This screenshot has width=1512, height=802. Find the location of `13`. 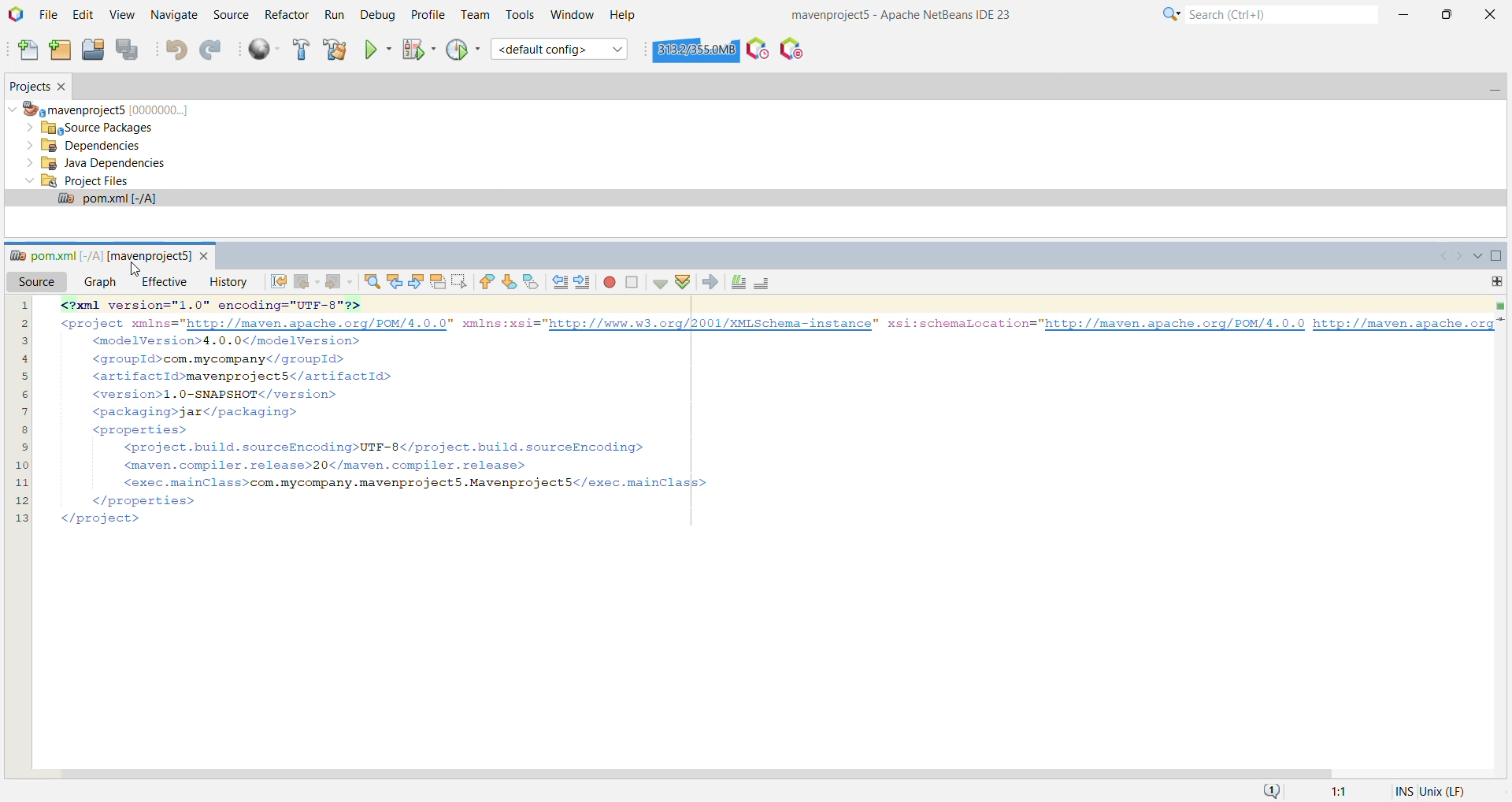

13 is located at coordinates (20, 518).